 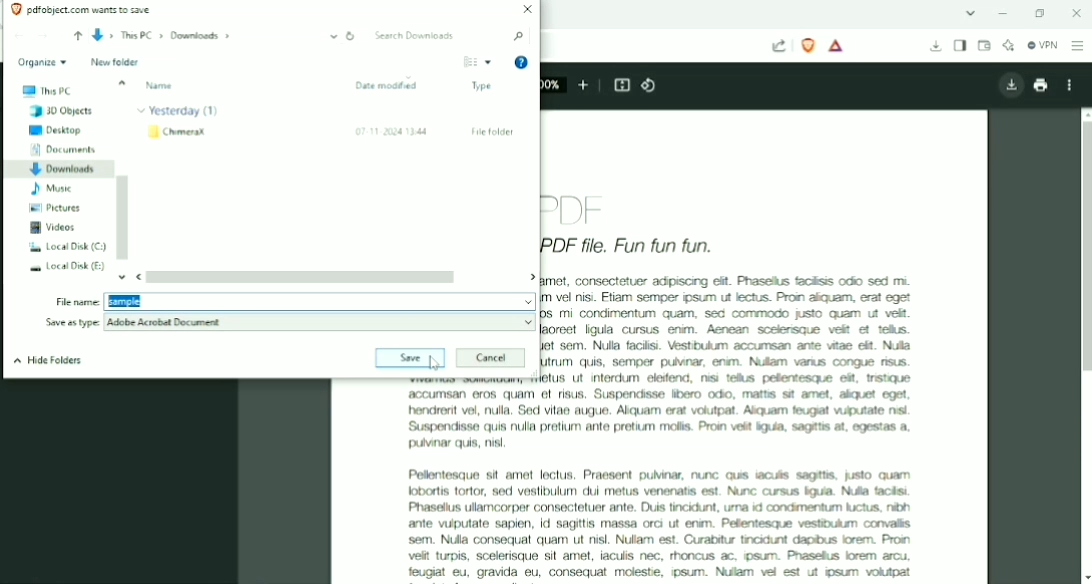 I want to click on Get Help, so click(x=522, y=63).